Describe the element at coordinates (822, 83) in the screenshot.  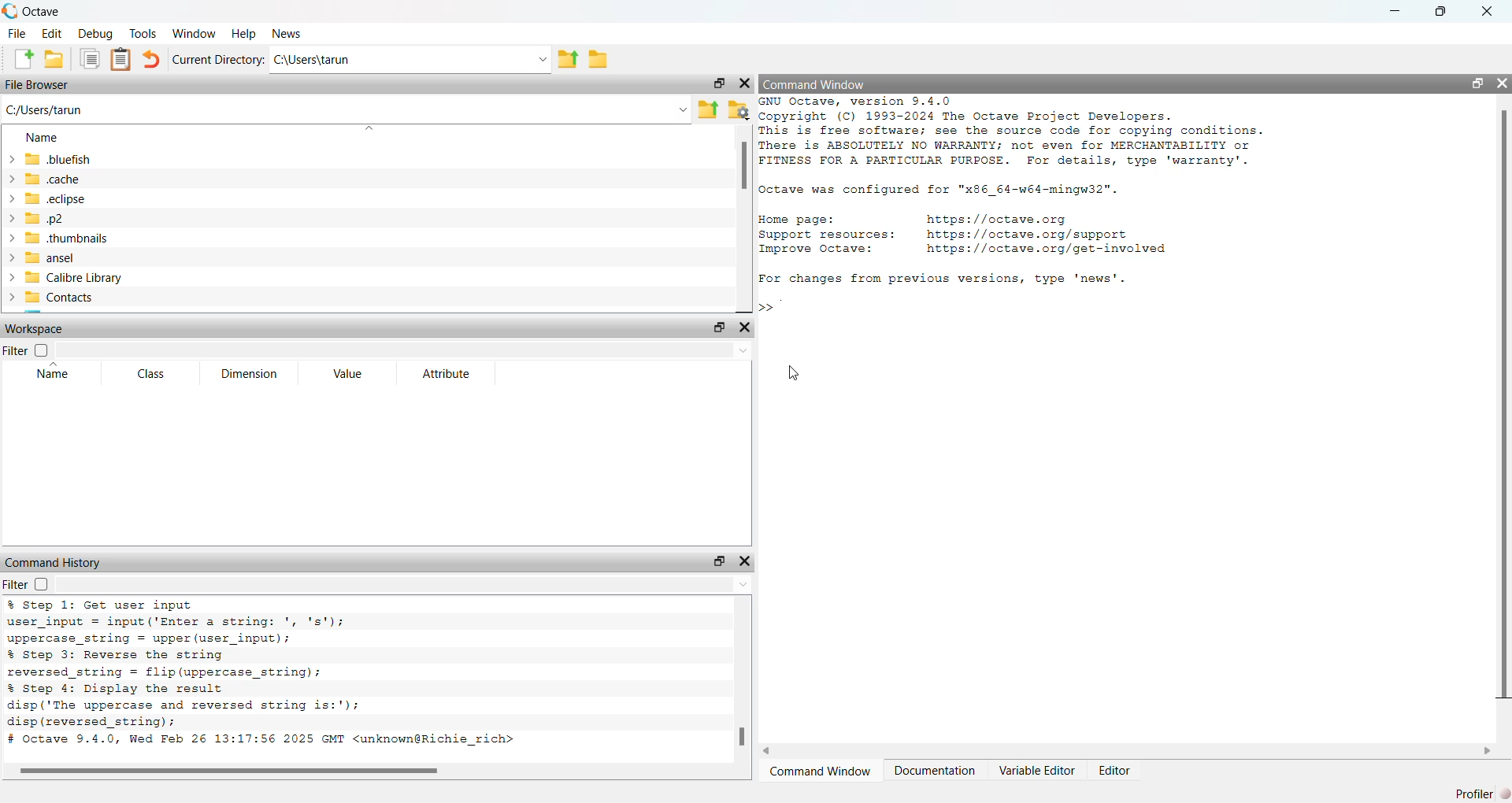
I see `command window` at that location.